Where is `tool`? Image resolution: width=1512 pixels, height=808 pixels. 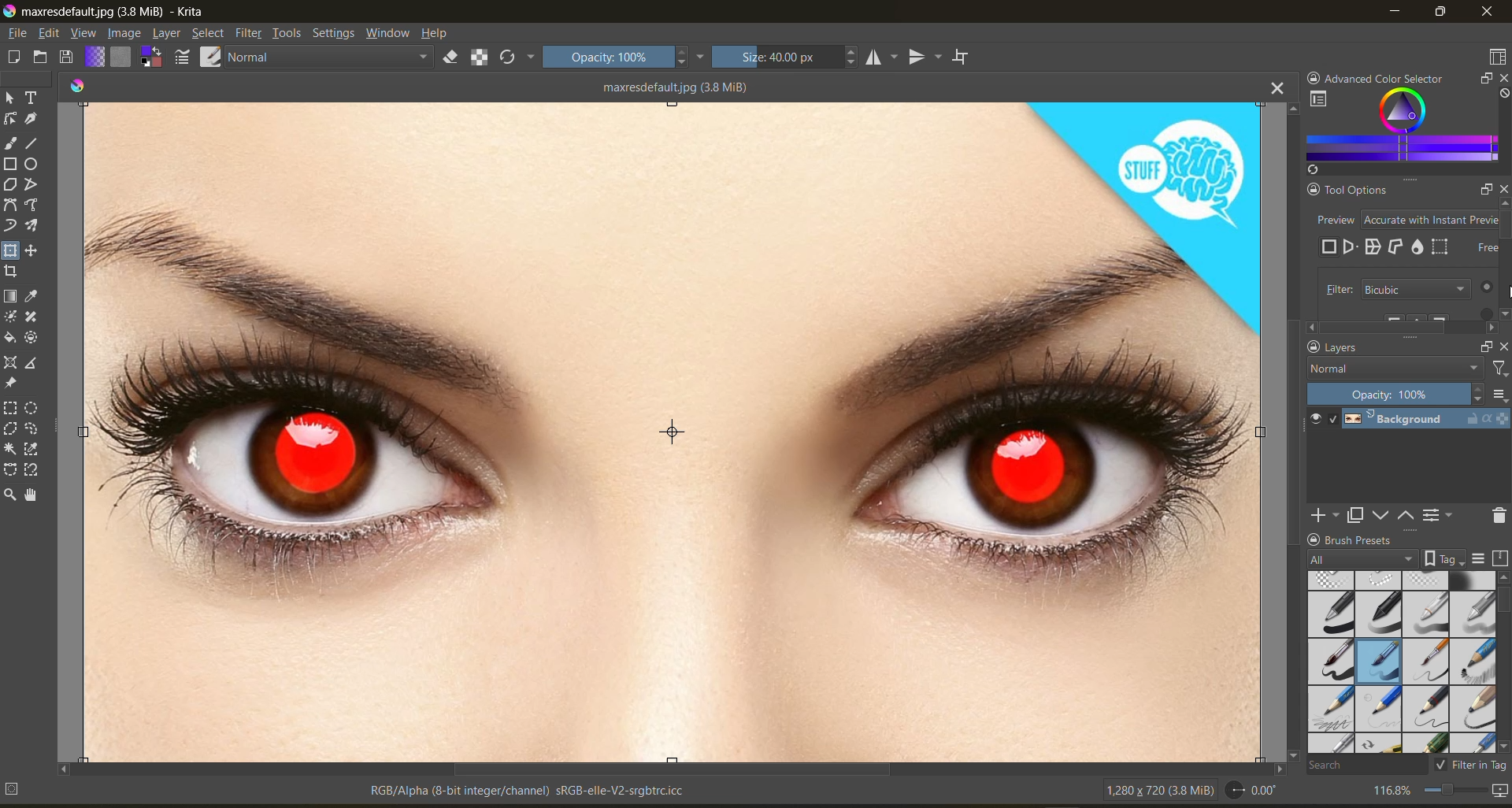 tool is located at coordinates (33, 143).